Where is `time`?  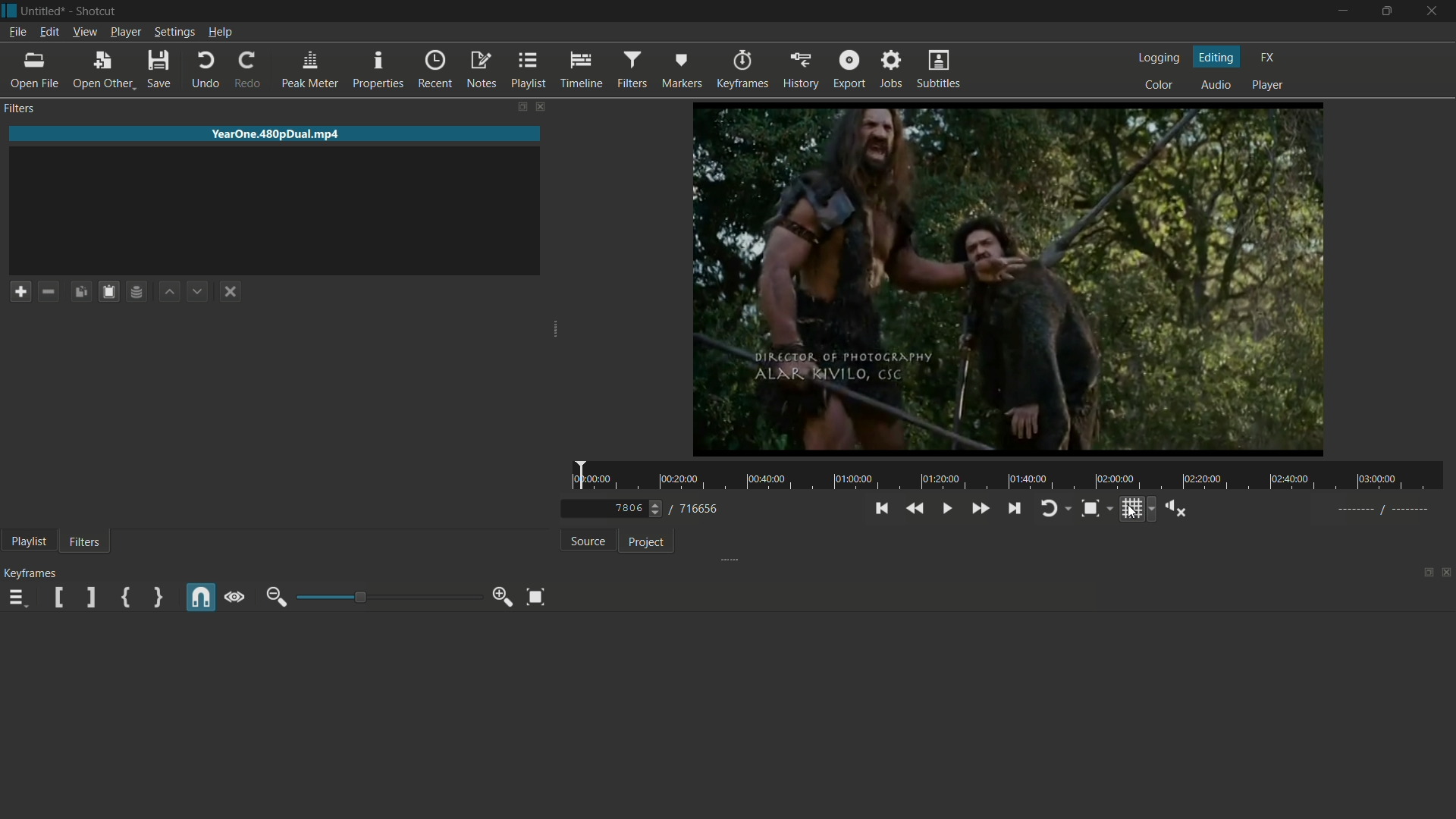
time is located at coordinates (1012, 475).